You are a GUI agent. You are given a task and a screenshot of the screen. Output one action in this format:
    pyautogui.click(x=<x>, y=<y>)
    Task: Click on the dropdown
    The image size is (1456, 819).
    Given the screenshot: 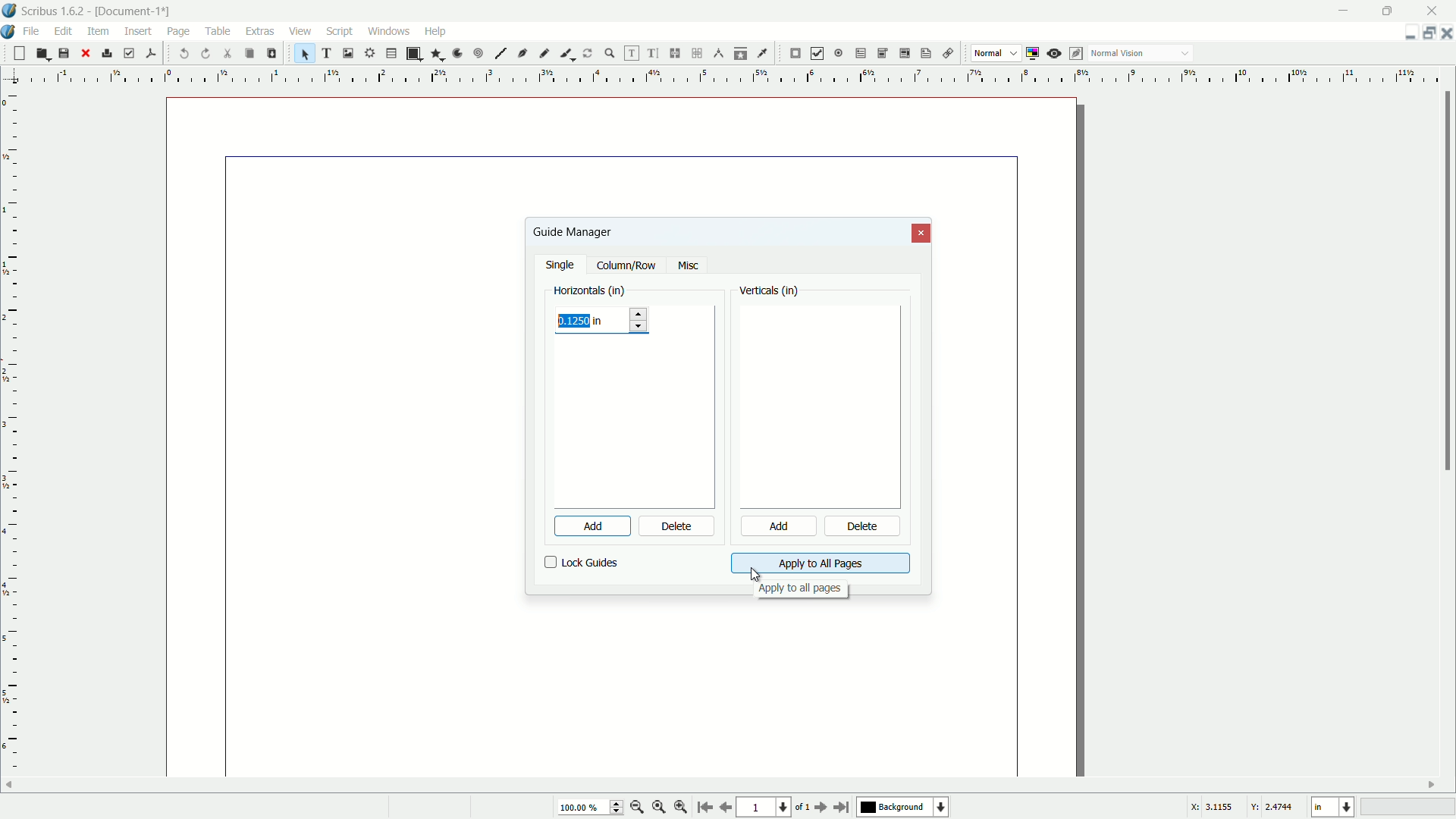 What is the action you would take?
    pyautogui.click(x=1014, y=54)
    